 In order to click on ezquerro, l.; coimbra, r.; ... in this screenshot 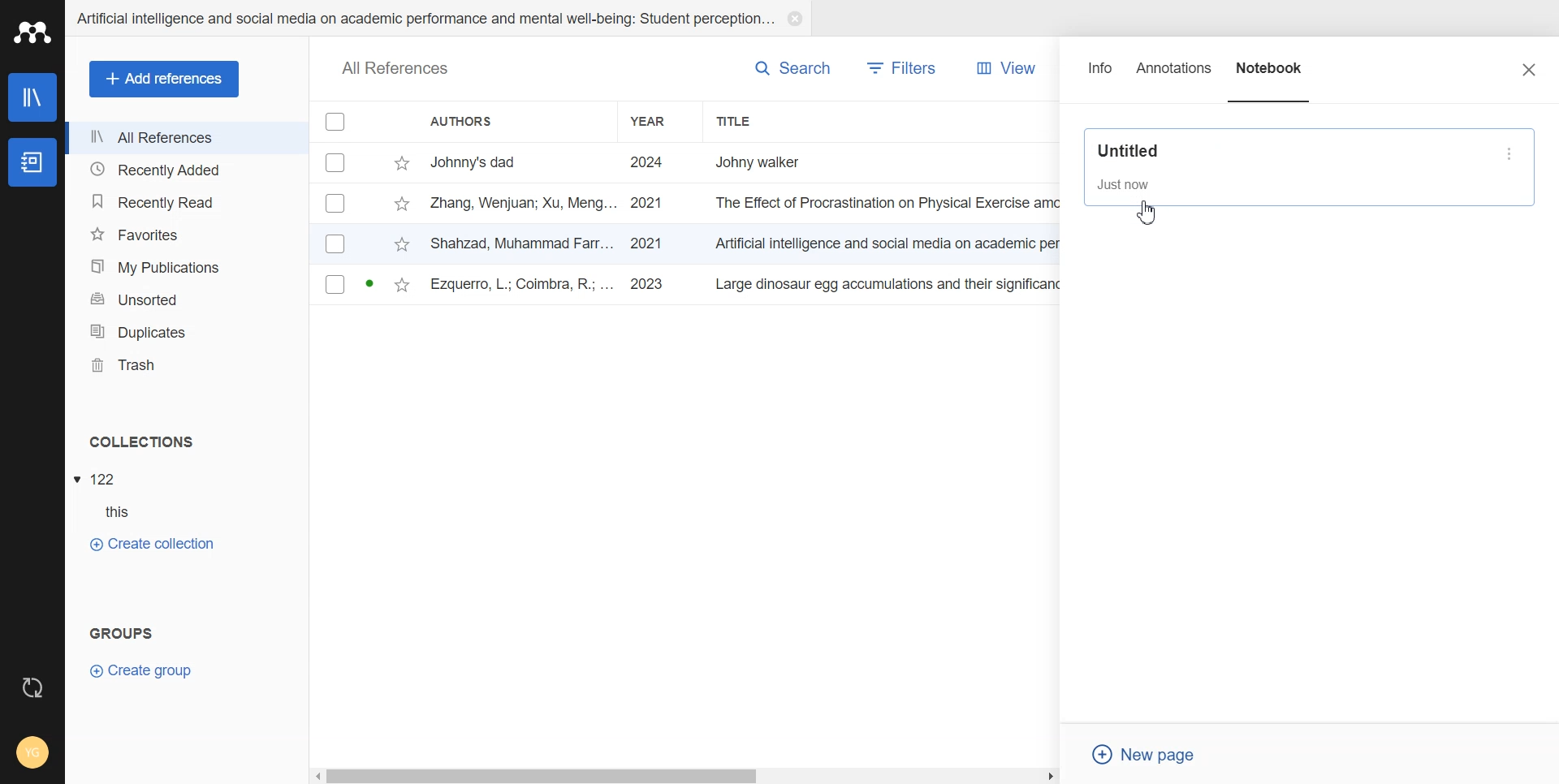, I will do `click(524, 286)`.